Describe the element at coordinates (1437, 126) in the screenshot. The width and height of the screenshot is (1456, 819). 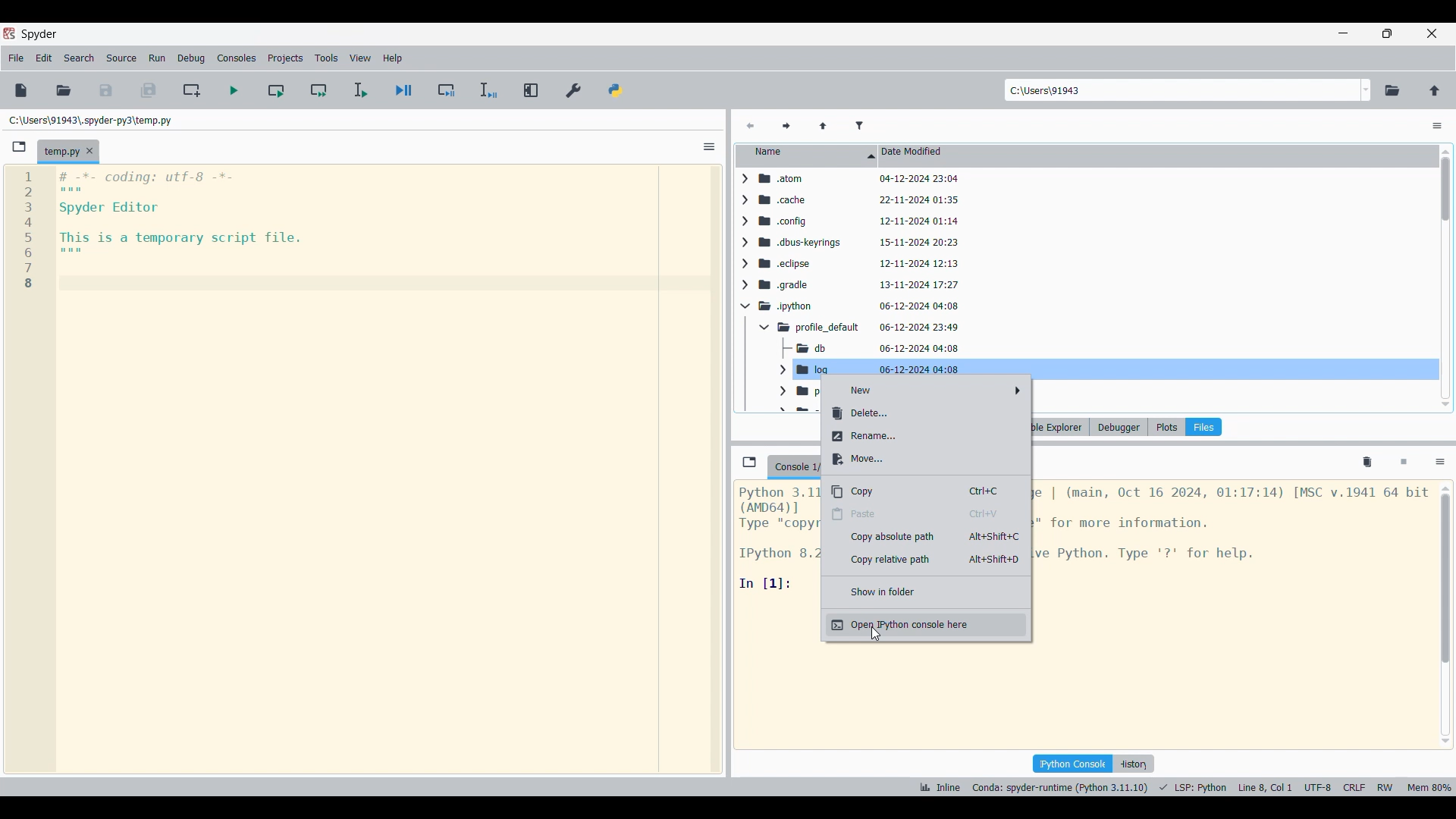
I see `Options` at that location.